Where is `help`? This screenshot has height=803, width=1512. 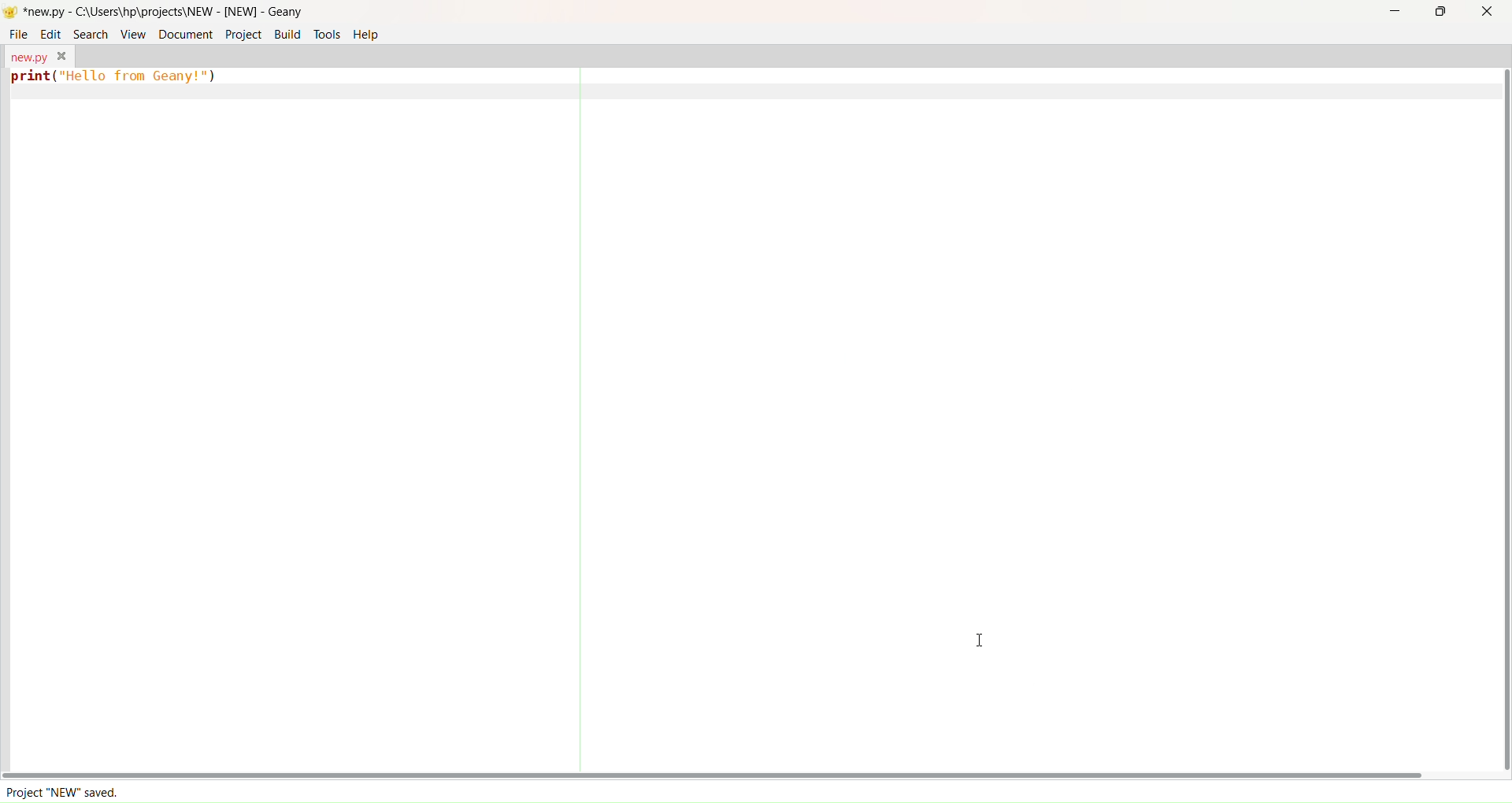
help is located at coordinates (373, 35).